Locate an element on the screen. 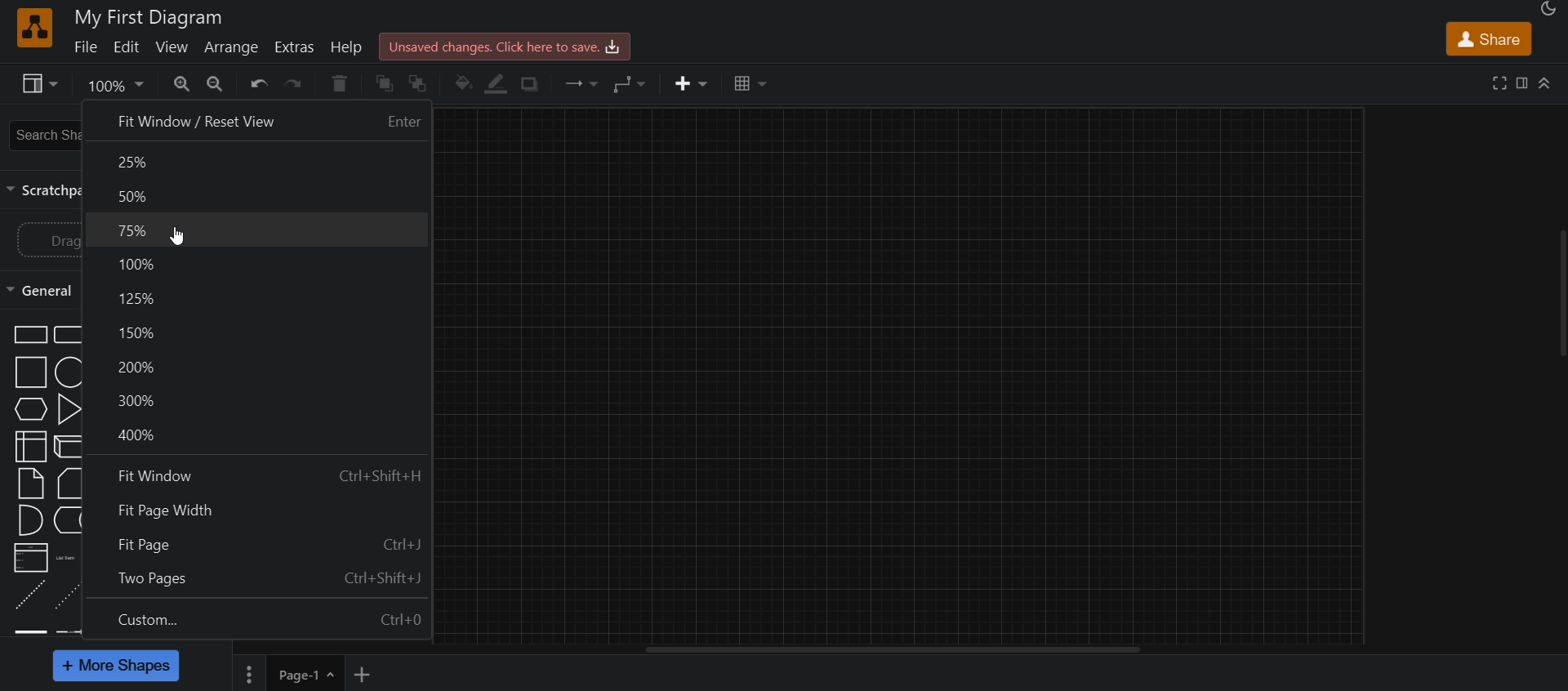 The image size is (1568, 691). shapes is located at coordinates (47, 475).